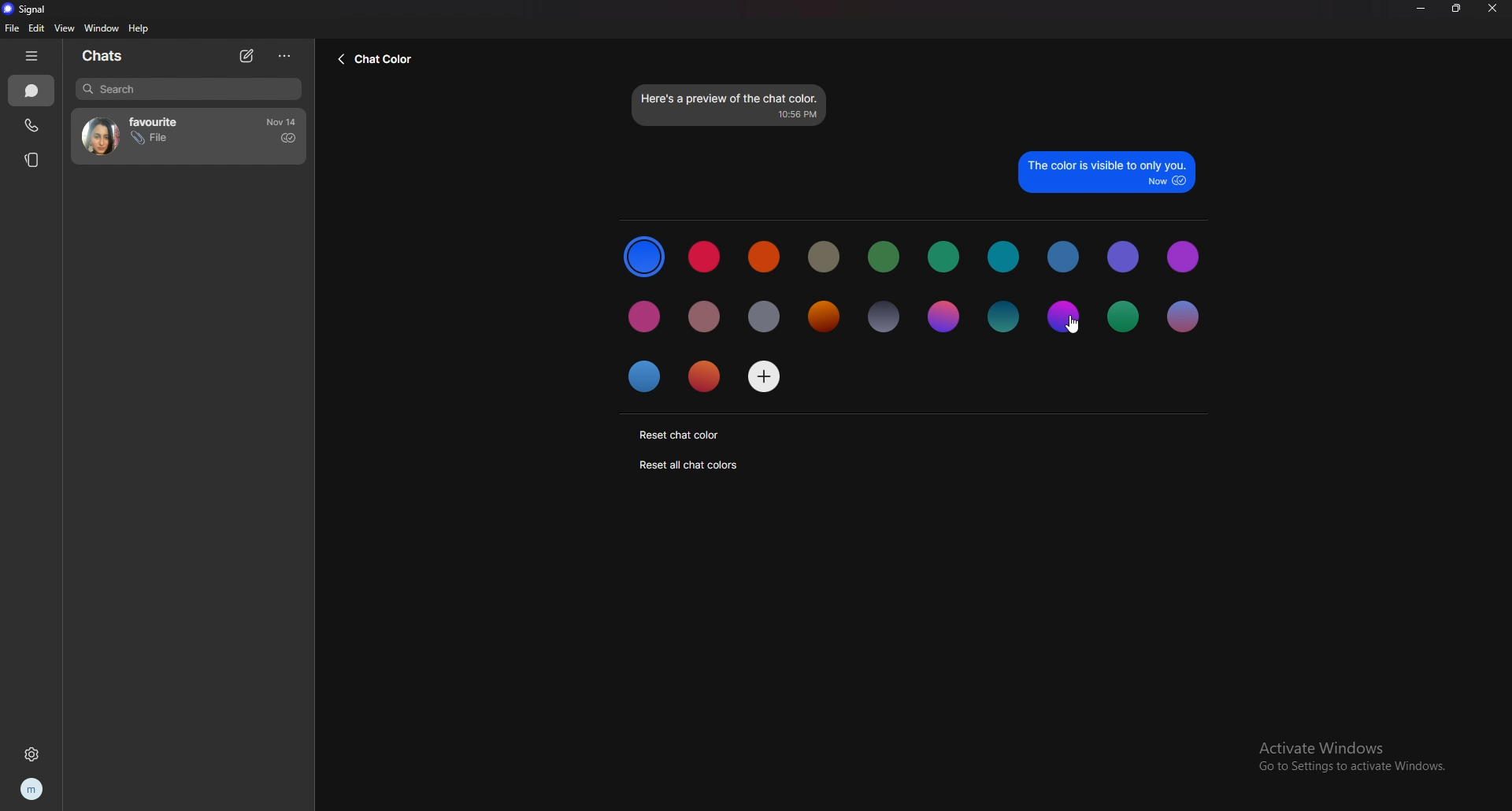  What do you see at coordinates (1419, 8) in the screenshot?
I see `minimize` at bounding box center [1419, 8].